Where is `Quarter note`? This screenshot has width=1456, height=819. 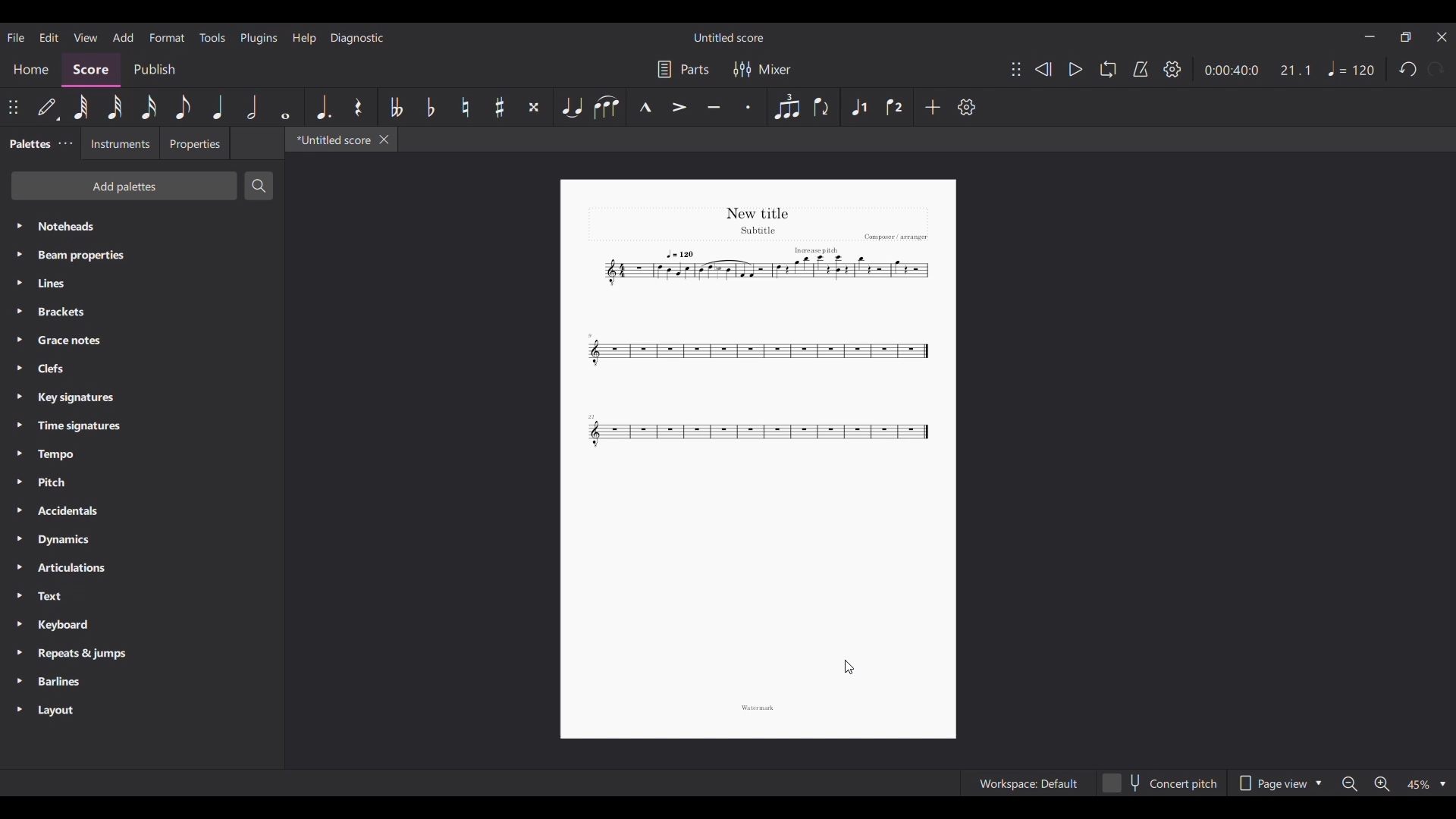
Quarter note is located at coordinates (218, 107).